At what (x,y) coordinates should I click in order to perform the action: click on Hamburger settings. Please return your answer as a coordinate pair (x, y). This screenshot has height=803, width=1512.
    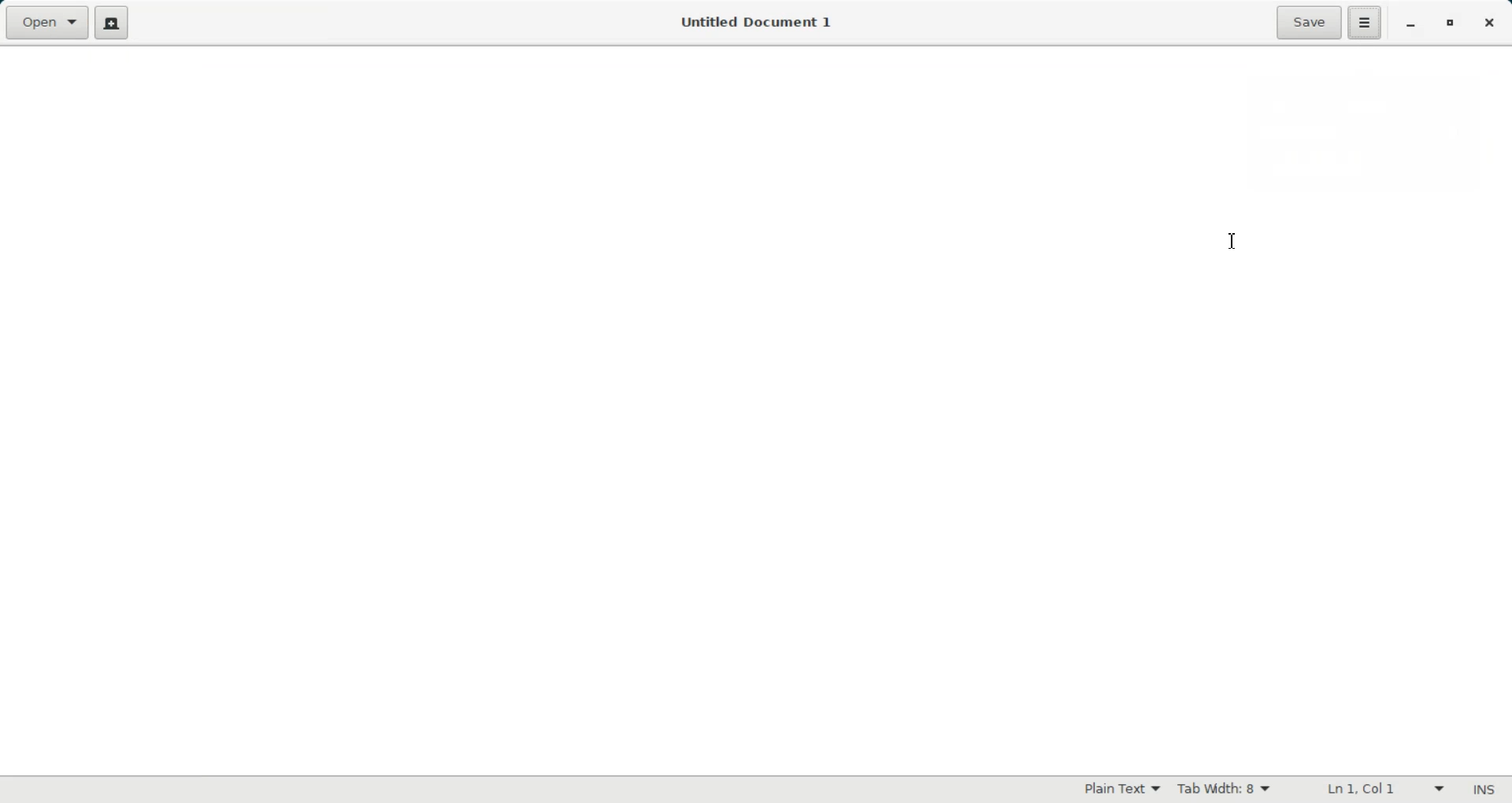
    Looking at the image, I should click on (1366, 23).